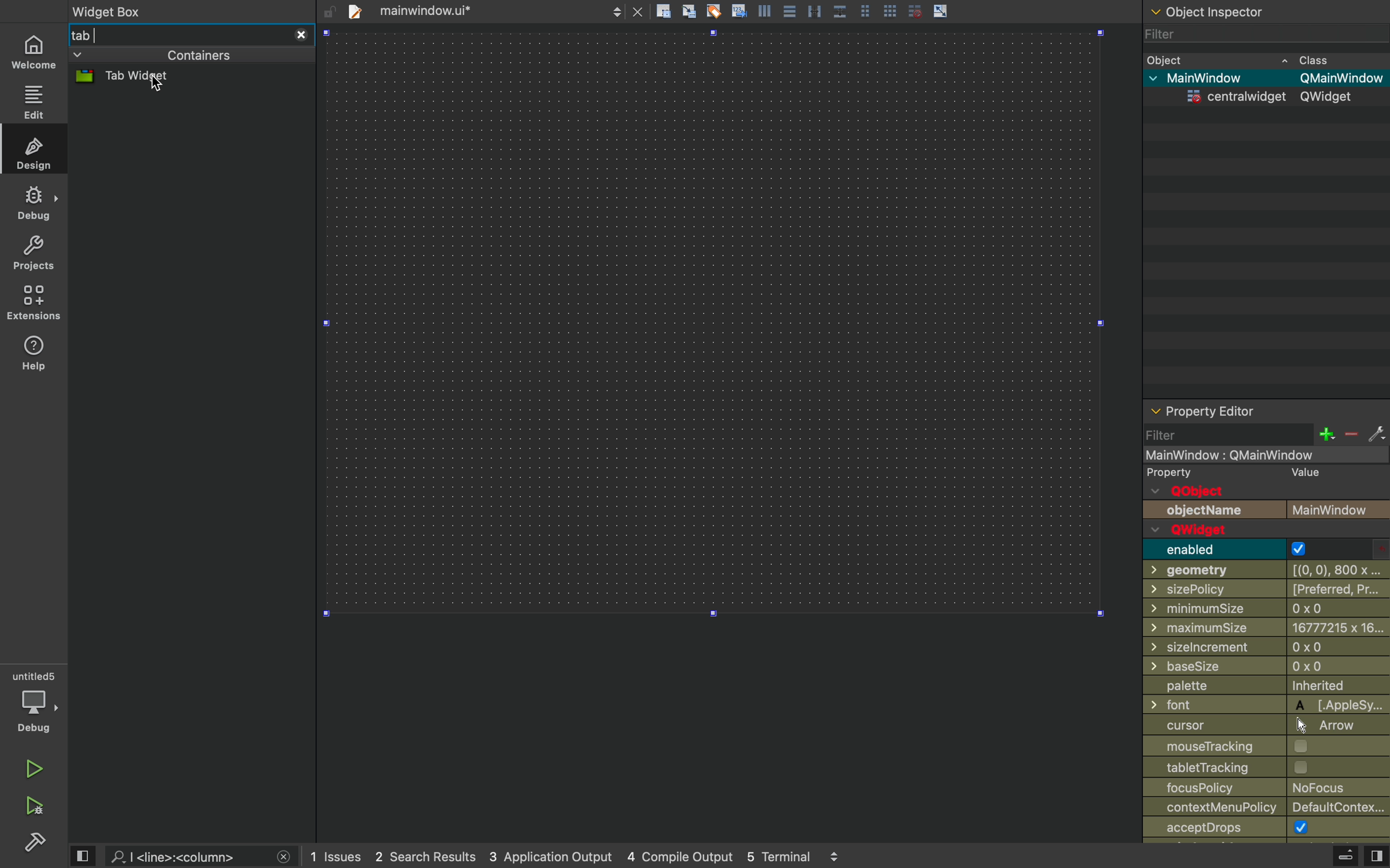  Describe the element at coordinates (1325, 434) in the screenshot. I see `plus` at that location.